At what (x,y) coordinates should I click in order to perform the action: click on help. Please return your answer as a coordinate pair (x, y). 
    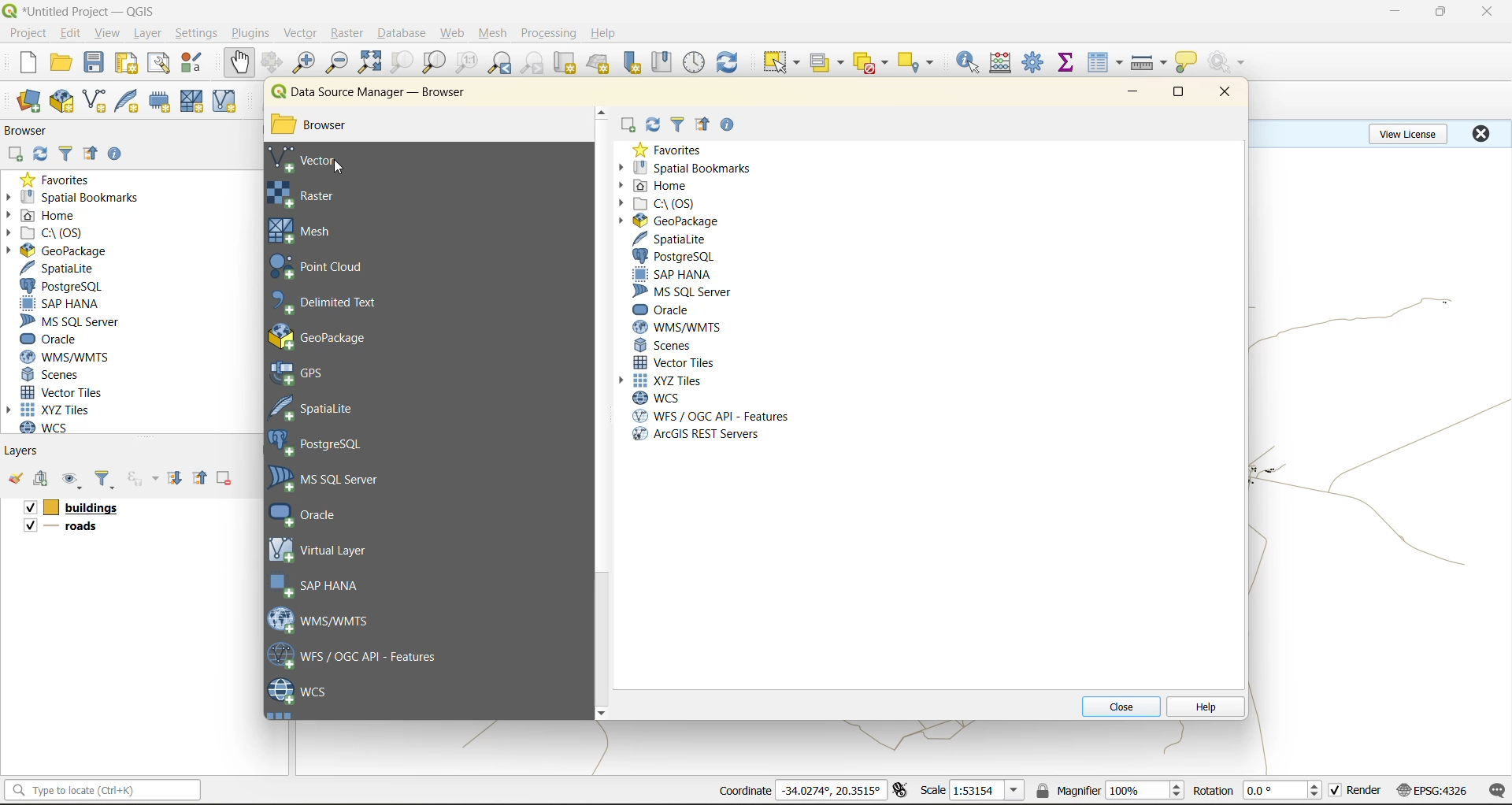
    Looking at the image, I should click on (1204, 708).